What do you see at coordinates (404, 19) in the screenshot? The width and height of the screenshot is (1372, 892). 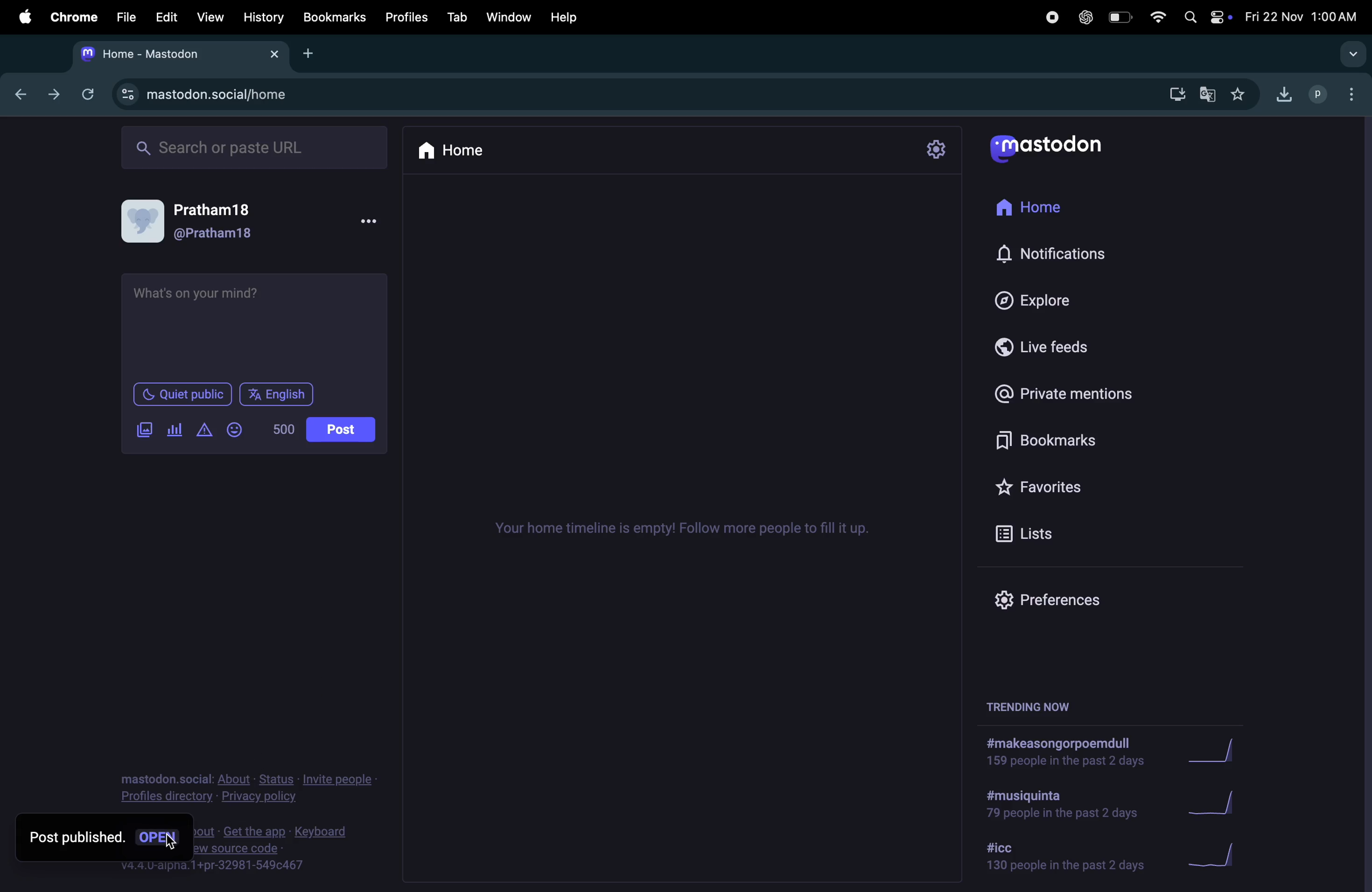 I see `` at bounding box center [404, 19].